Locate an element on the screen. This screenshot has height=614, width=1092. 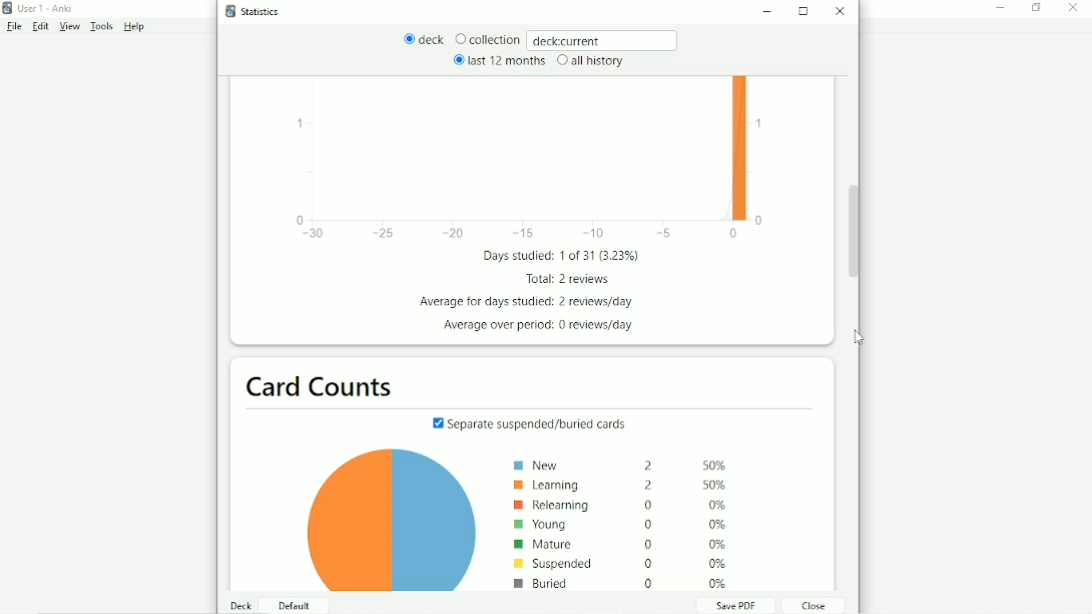
Wm Young 0 0% is located at coordinates (621, 524).